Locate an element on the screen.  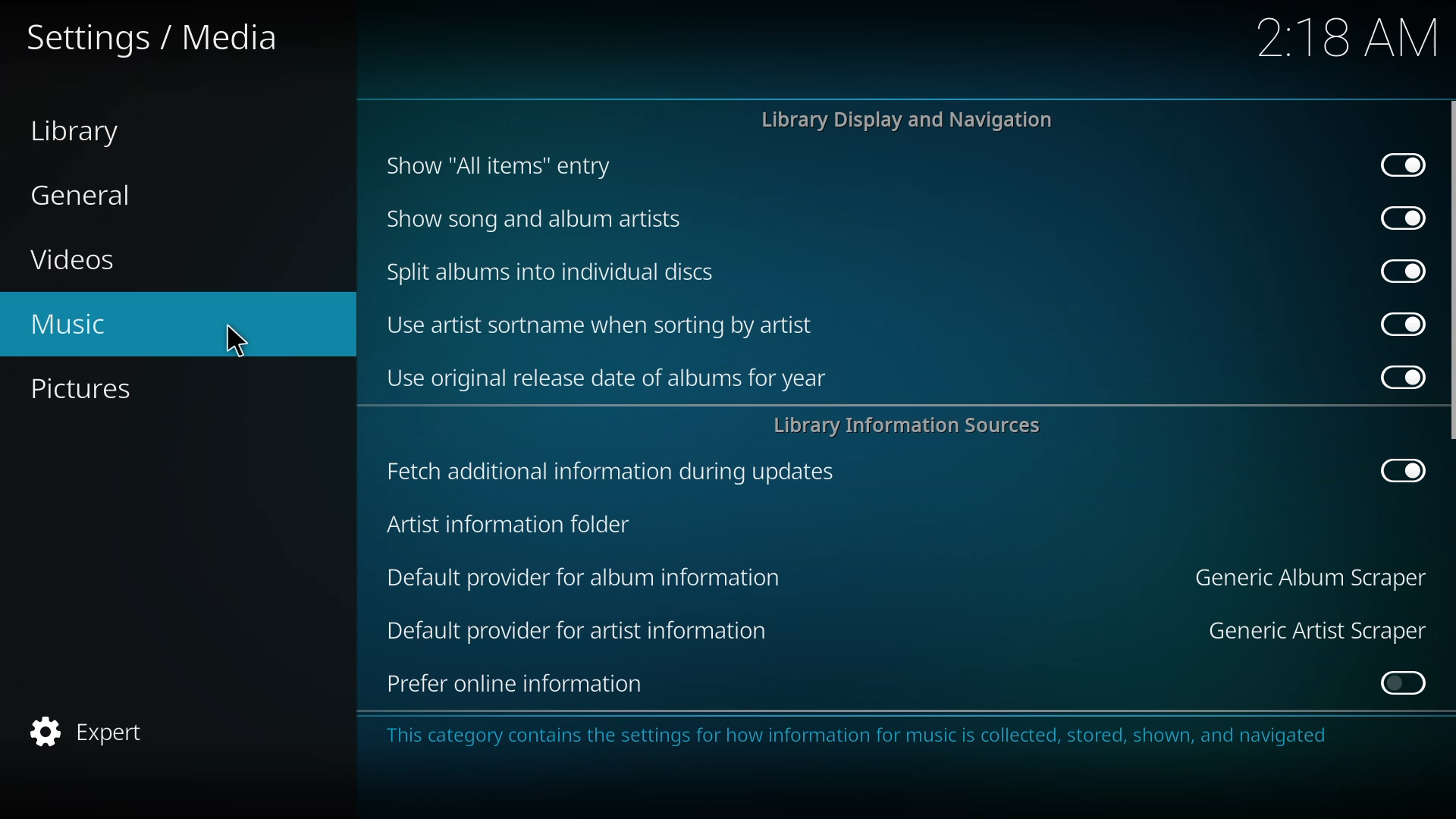
music is located at coordinates (74, 324).